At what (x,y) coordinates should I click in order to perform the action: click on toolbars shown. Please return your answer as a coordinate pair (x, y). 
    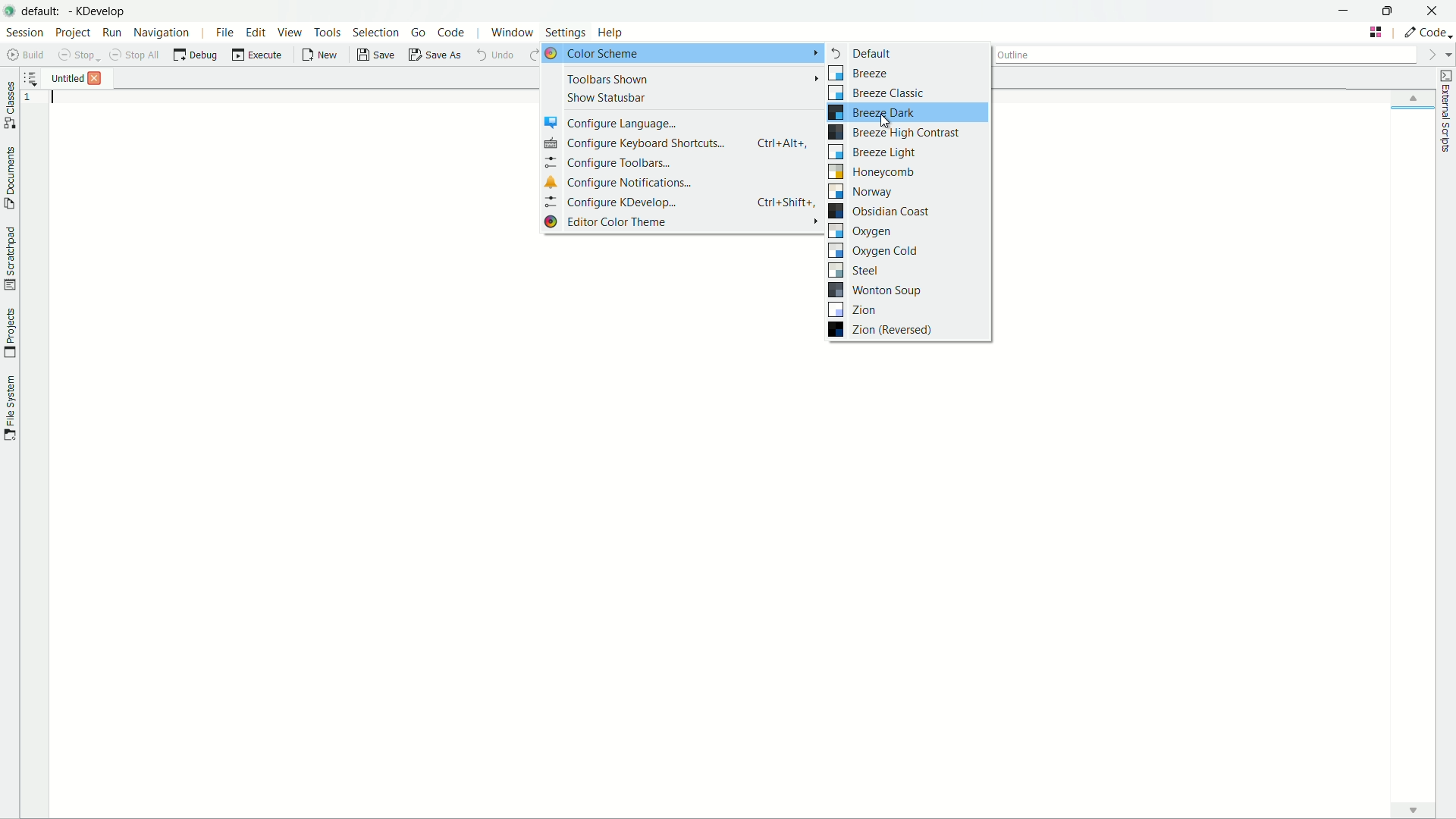
    Looking at the image, I should click on (606, 78).